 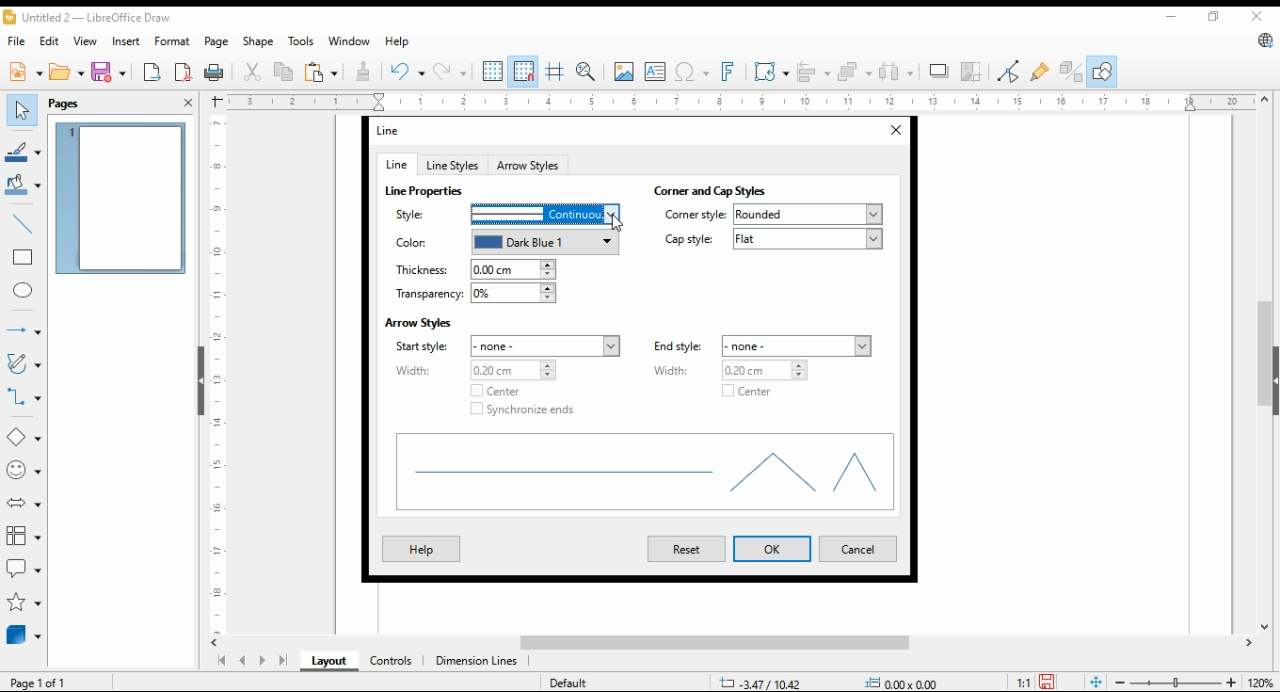 I want to click on line style, so click(x=503, y=214).